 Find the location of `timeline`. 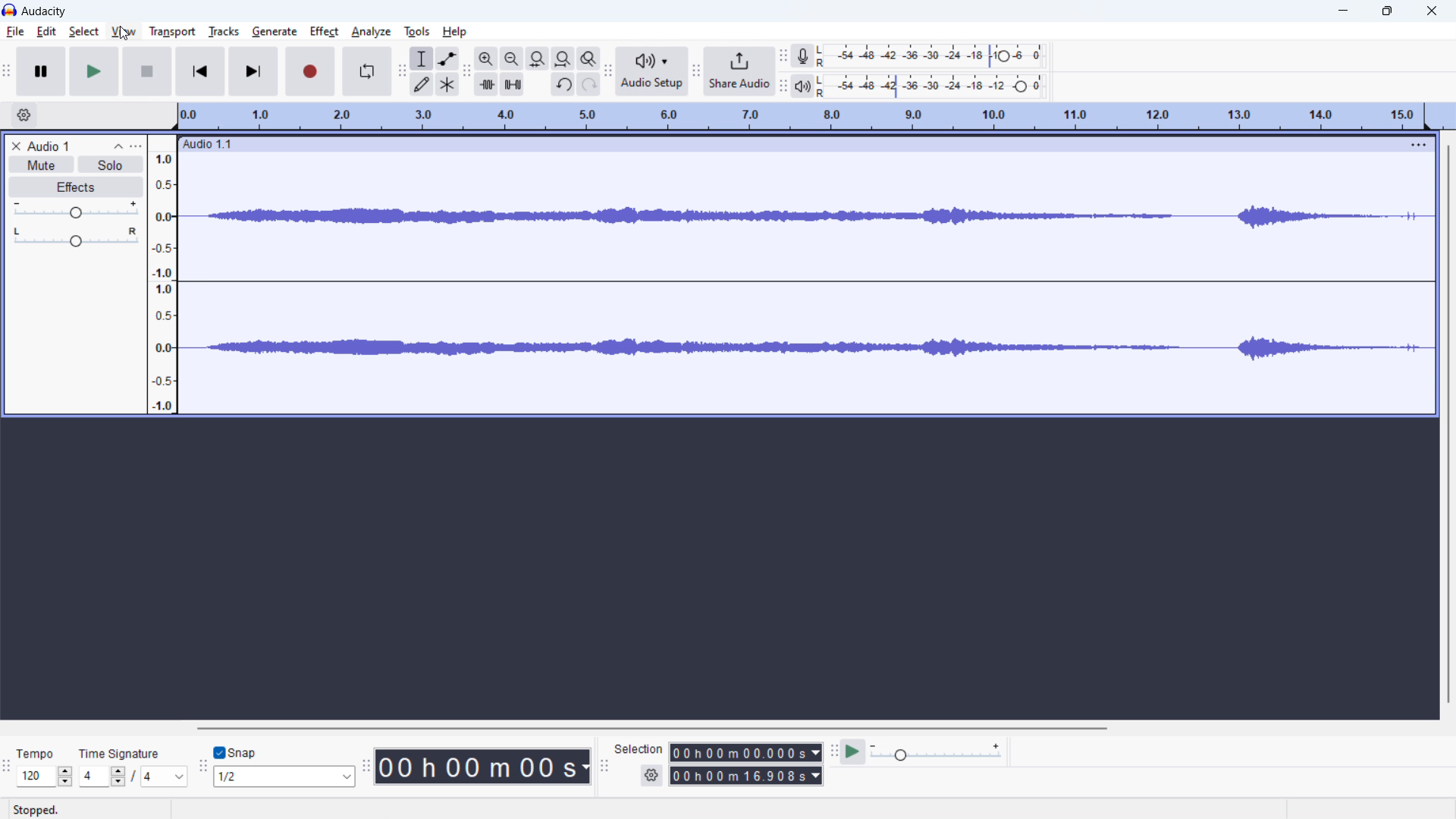

timeline is located at coordinates (800, 117).